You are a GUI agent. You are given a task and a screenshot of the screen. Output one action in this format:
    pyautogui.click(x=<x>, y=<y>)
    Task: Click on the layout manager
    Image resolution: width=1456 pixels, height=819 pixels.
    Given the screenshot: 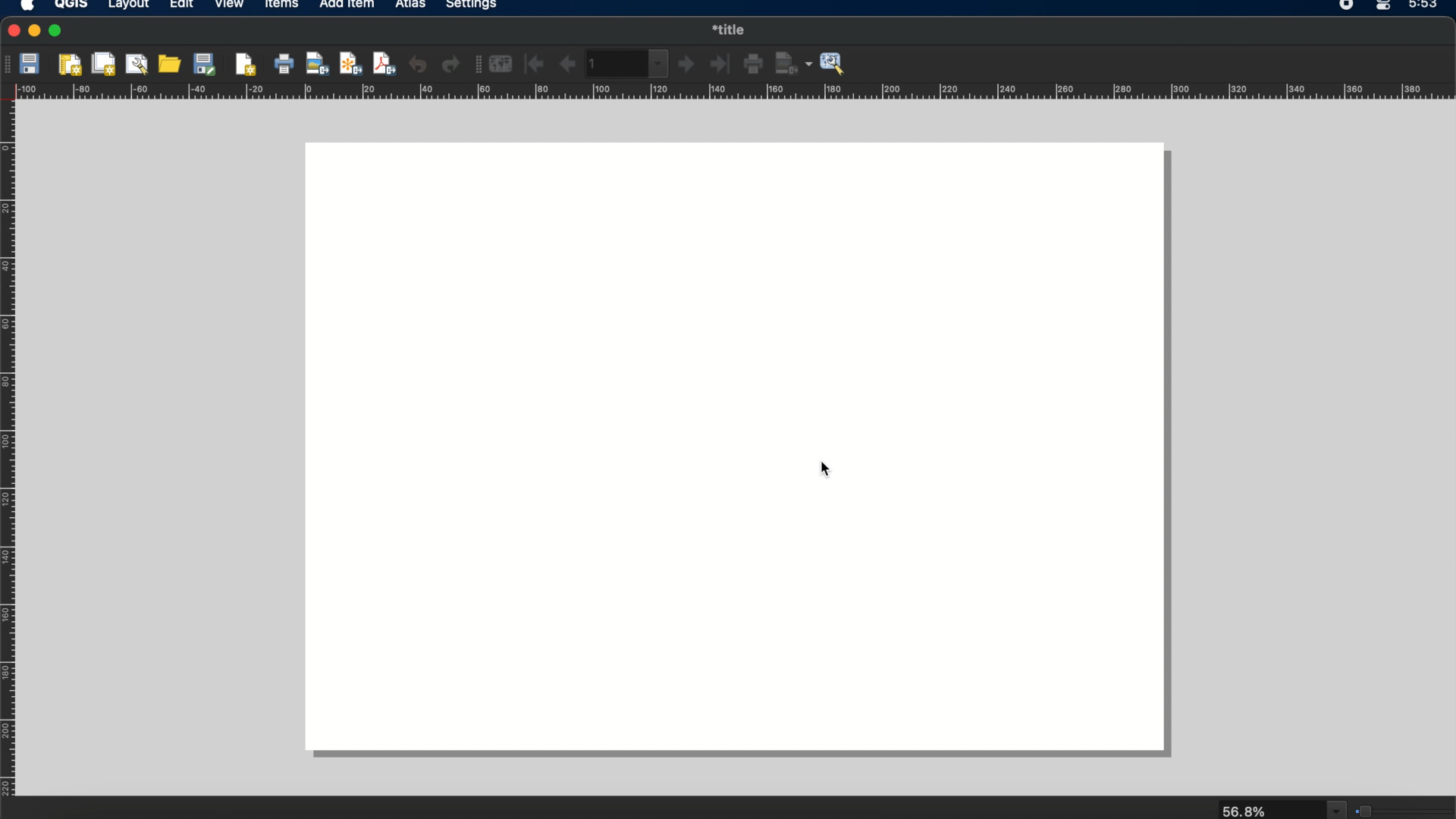 What is the action you would take?
    pyautogui.click(x=137, y=64)
    